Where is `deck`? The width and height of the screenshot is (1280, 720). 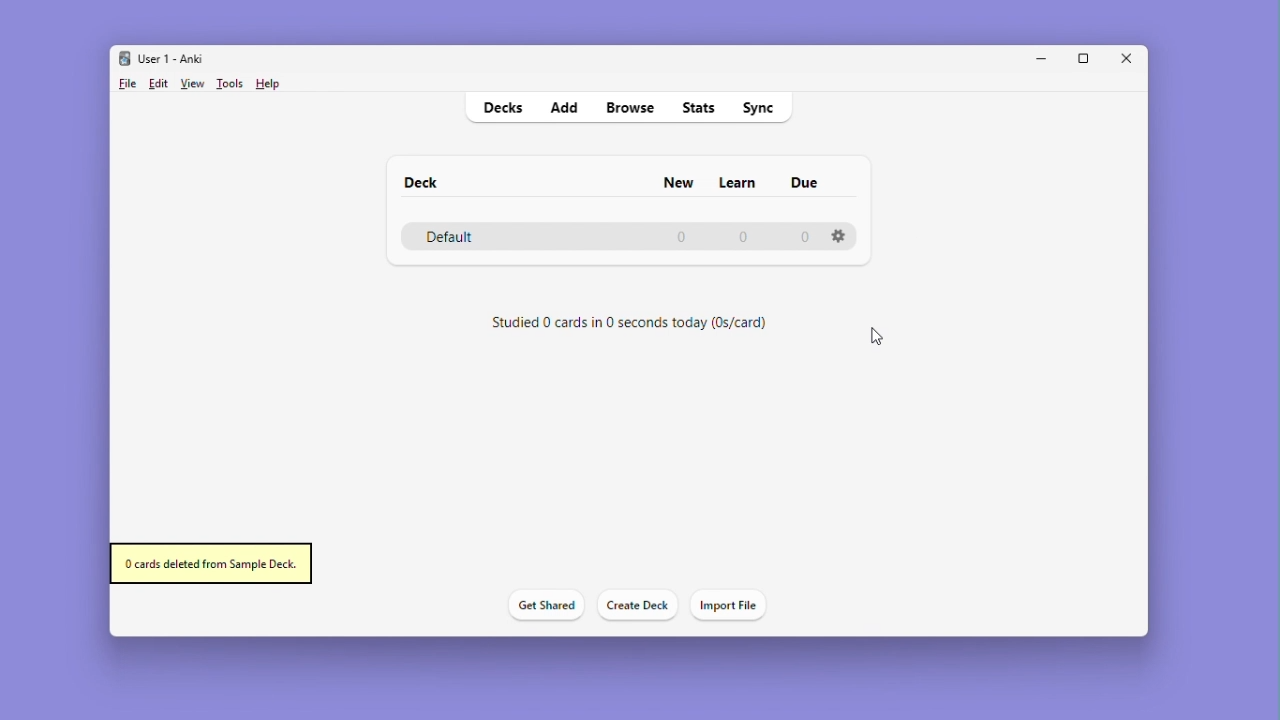
deck is located at coordinates (420, 182).